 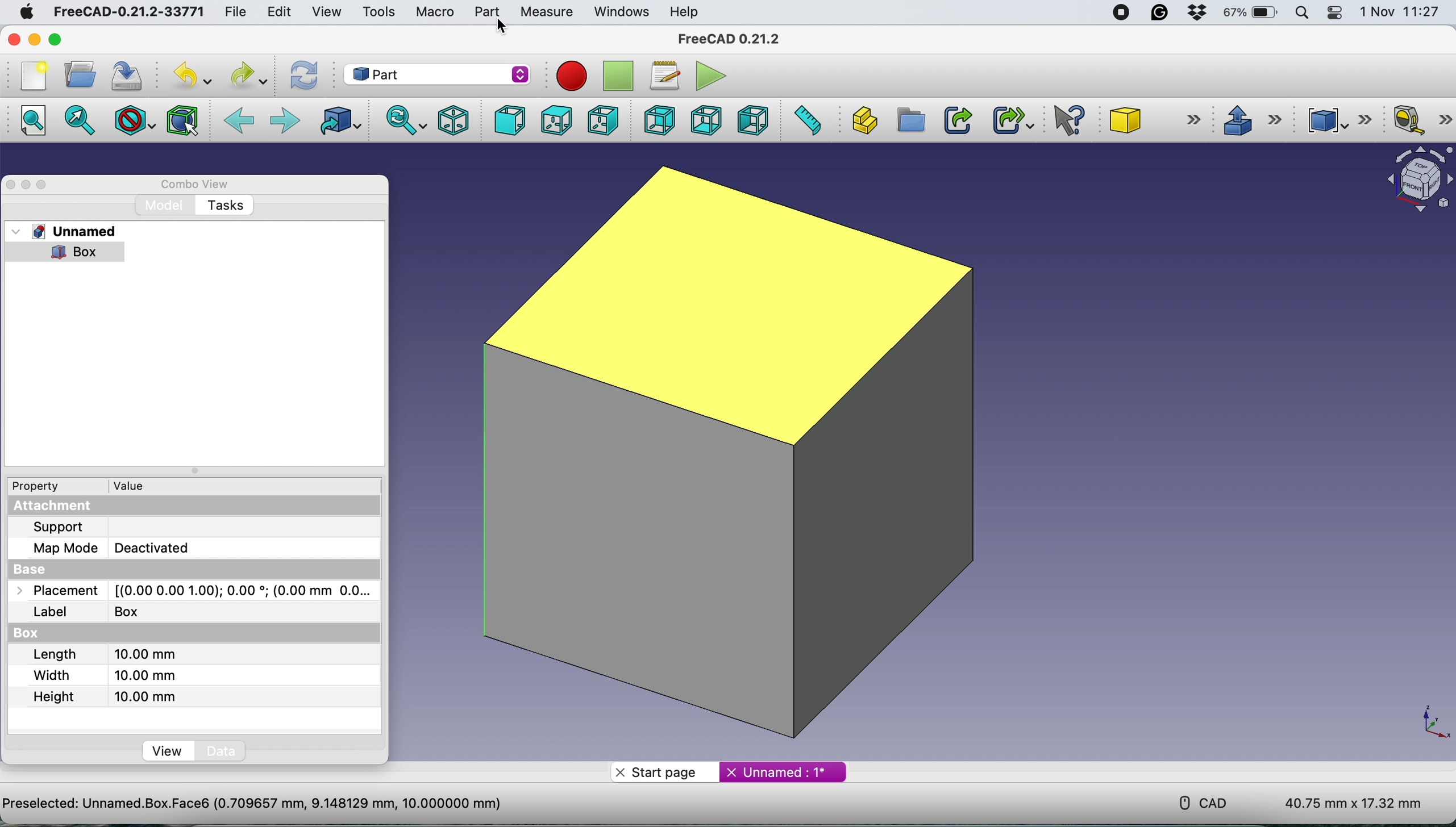 What do you see at coordinates (1012, 120) in the screenshot?
I see `make sub link` at bounding box center [1012, 120].